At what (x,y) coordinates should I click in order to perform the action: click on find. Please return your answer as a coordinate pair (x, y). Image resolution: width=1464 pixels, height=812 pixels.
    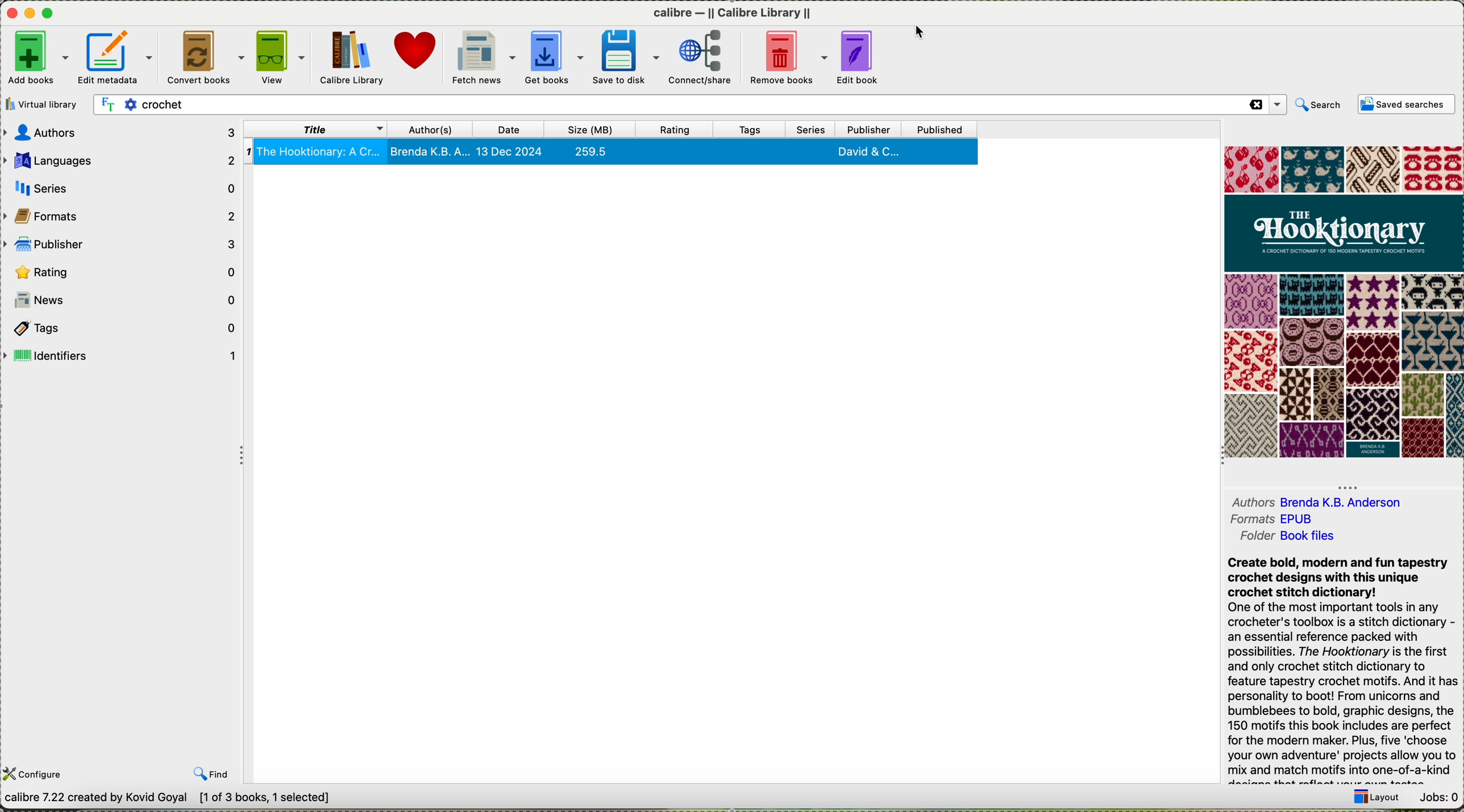
    Looking at the image, I should click on (211, 774).